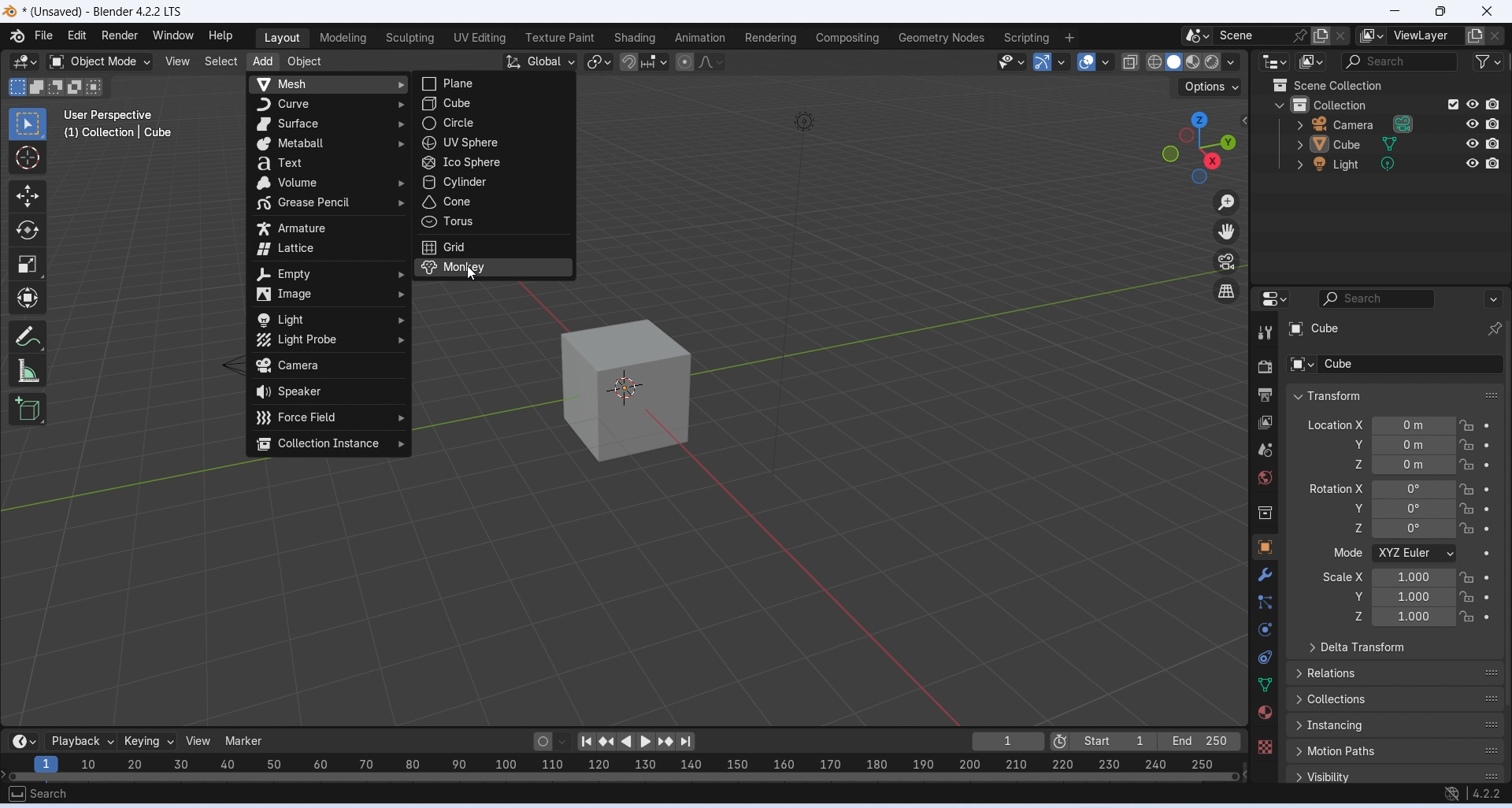 The width and height of the screenshot is (1512, 808). Describe the element at coordinates (1453, 103) in the screenshot. I see `execute from view layer` at that location.